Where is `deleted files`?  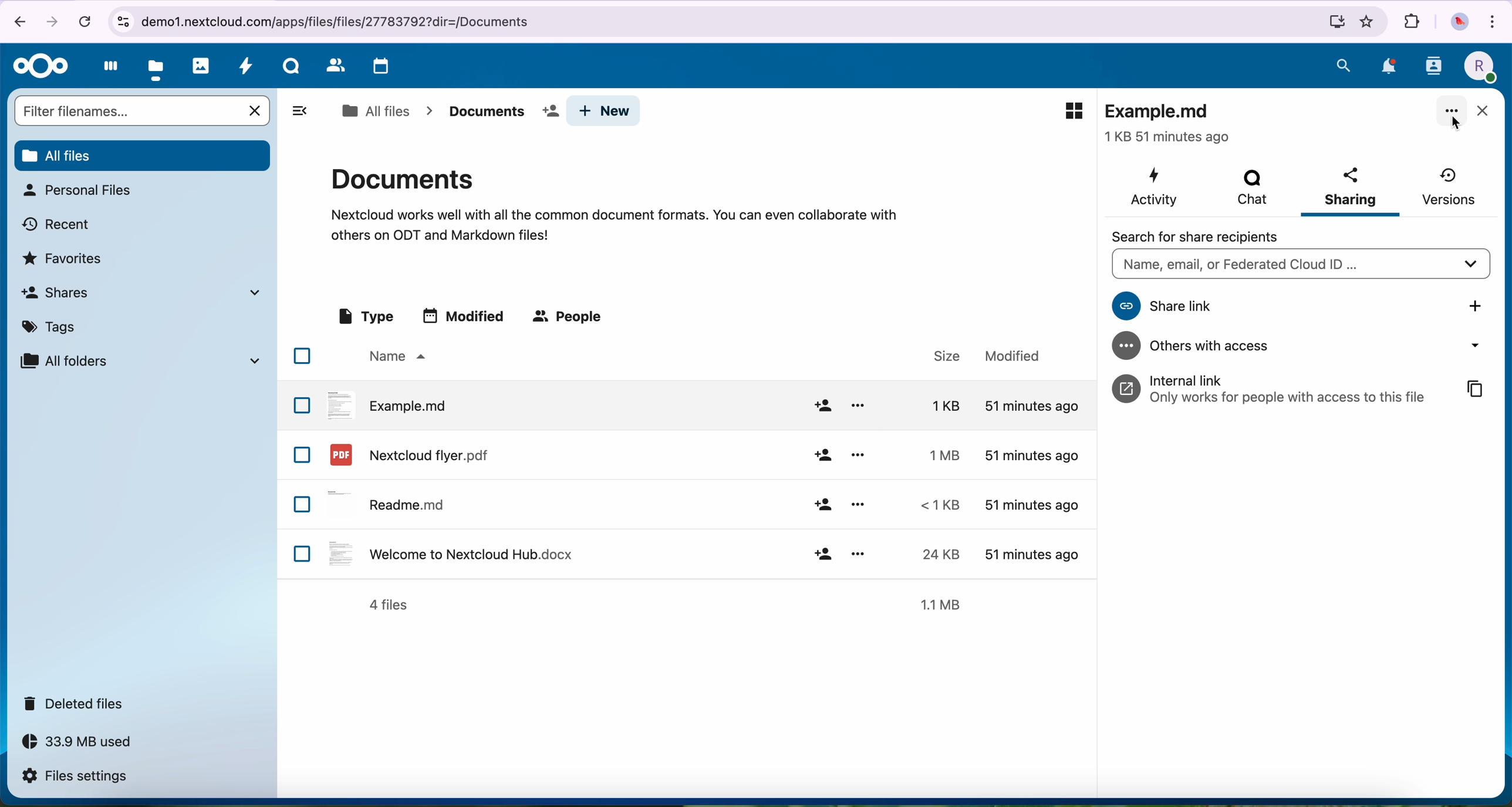 deleted files is located at coordinates (77, 704).